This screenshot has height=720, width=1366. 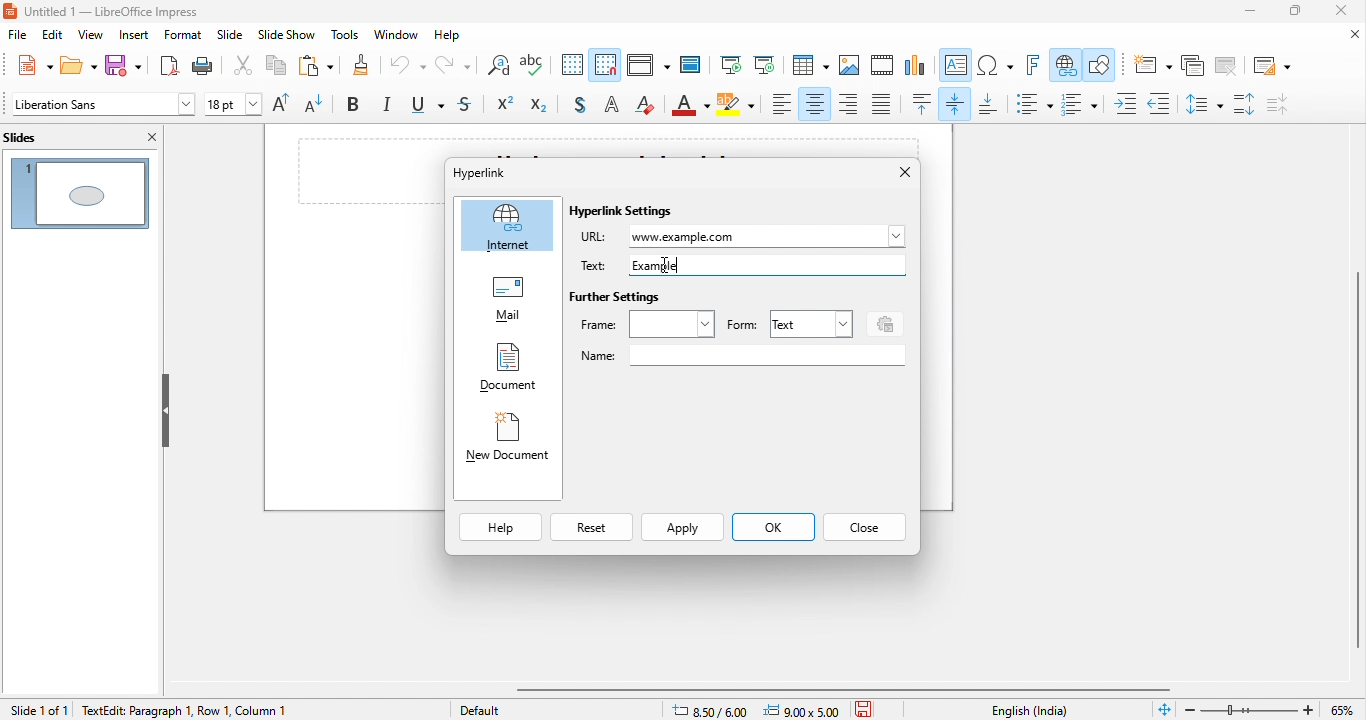 What do you see at coordinates (123, 67) in the screenshot?
I see `save` at bounding box center [123, 67].